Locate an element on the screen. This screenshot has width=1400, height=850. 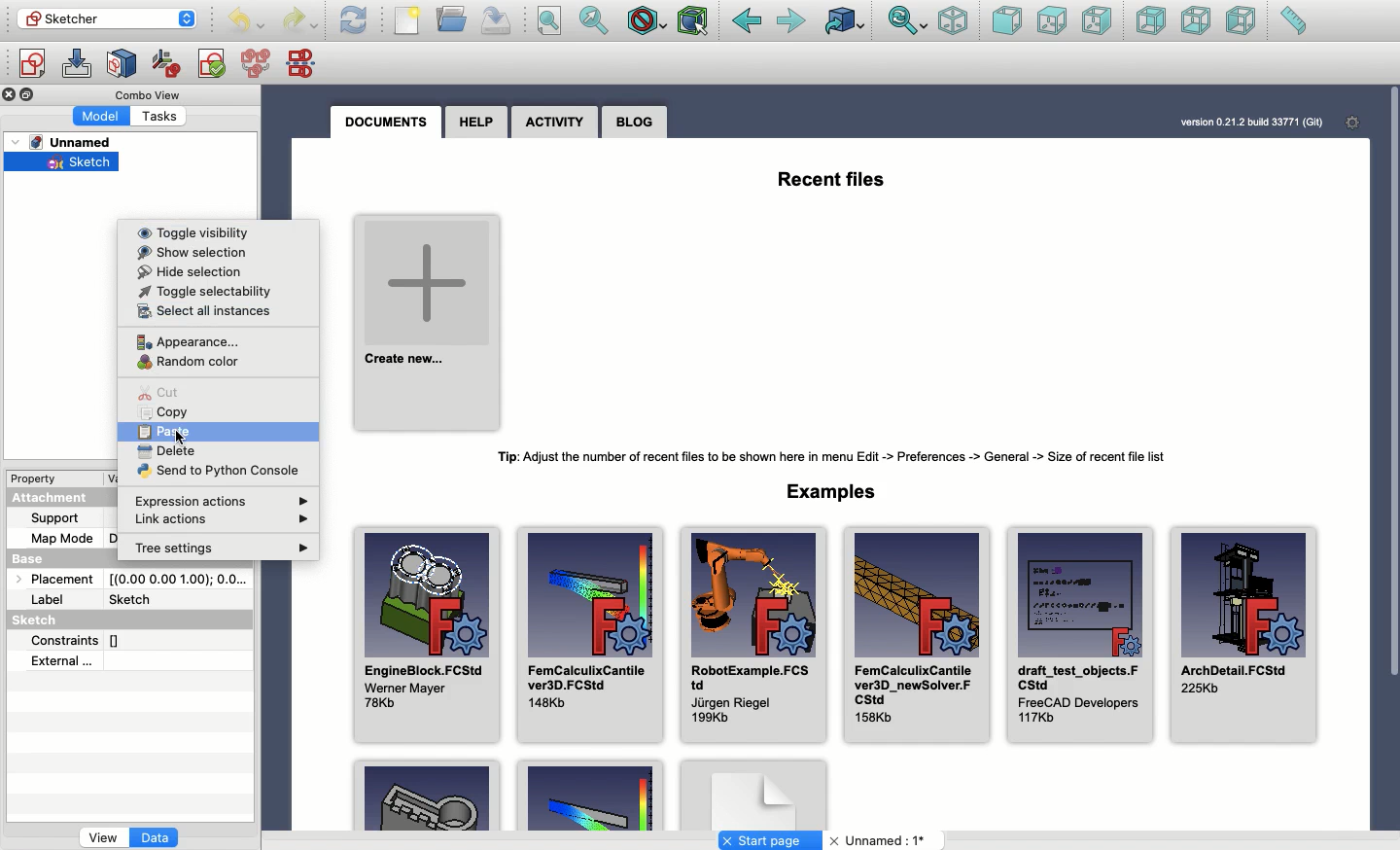
Edit sketch is located at coordinates (77, 64).